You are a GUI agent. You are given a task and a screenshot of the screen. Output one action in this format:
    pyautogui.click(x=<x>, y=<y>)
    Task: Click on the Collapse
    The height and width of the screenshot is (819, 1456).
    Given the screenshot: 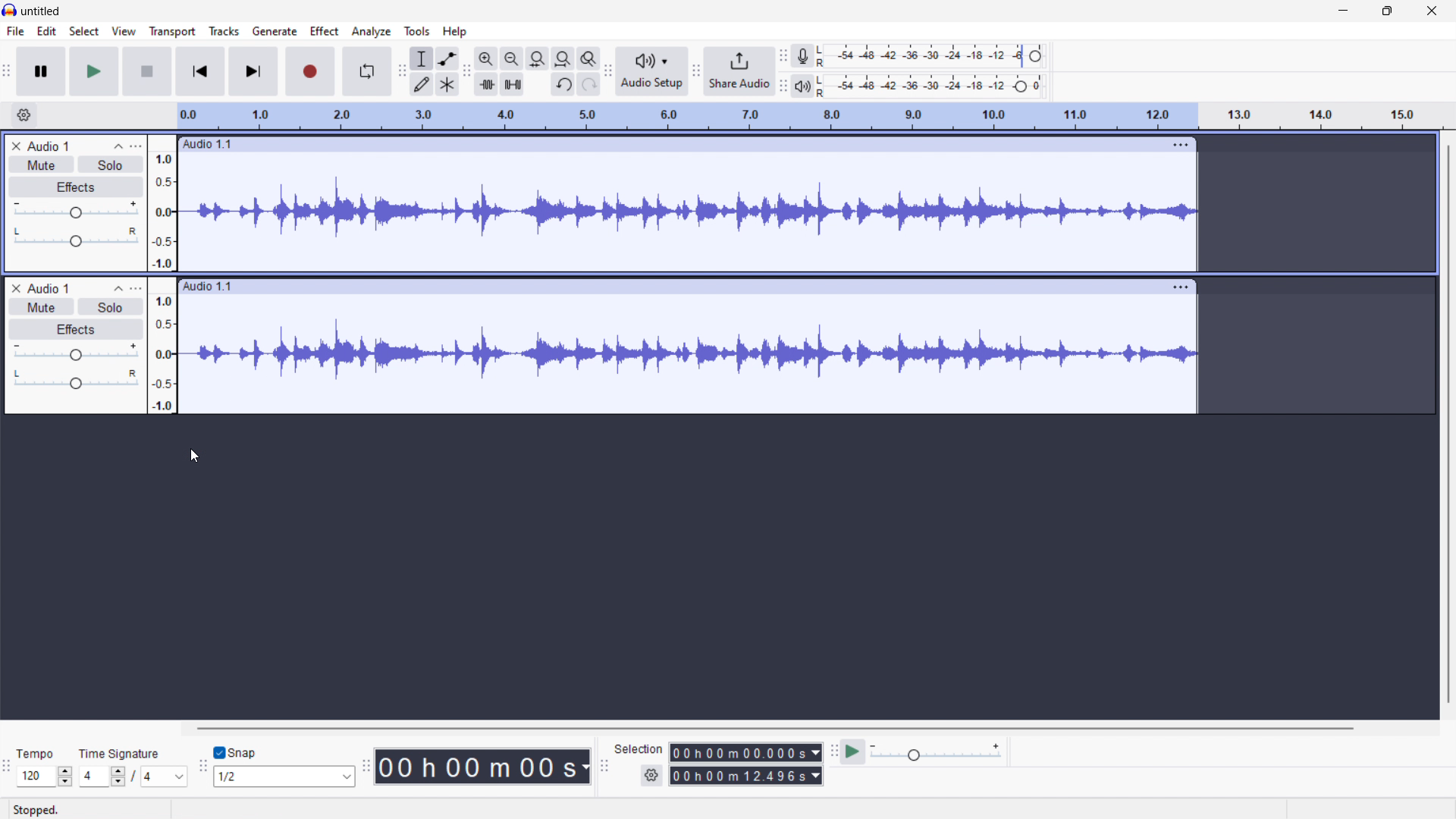 What is the action you would take?
    pyautogui.click(x=117, y=289)
    